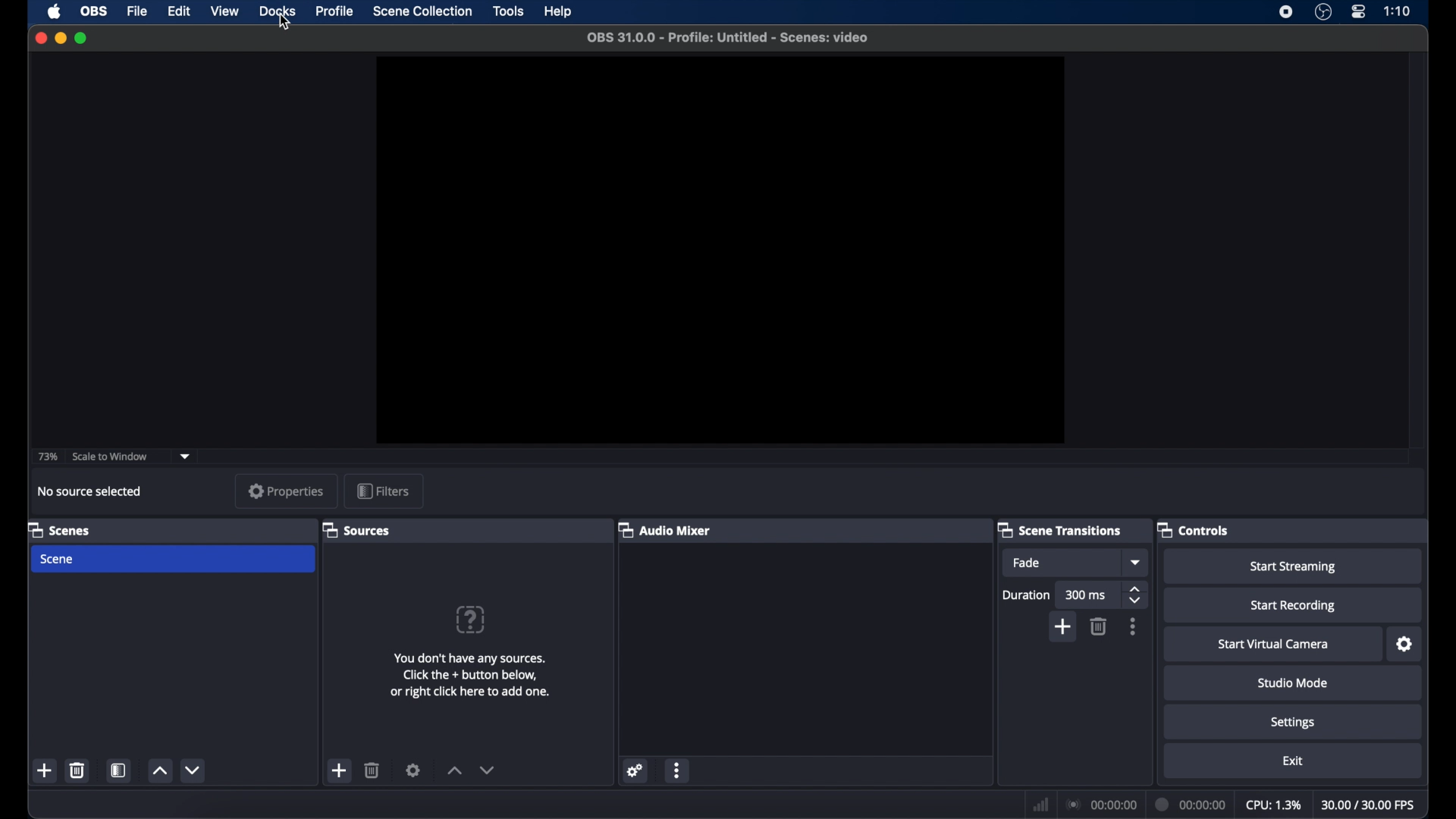 The width and height of the screenshot is (1456, 819). I want to click on settings, so click(413, 770).